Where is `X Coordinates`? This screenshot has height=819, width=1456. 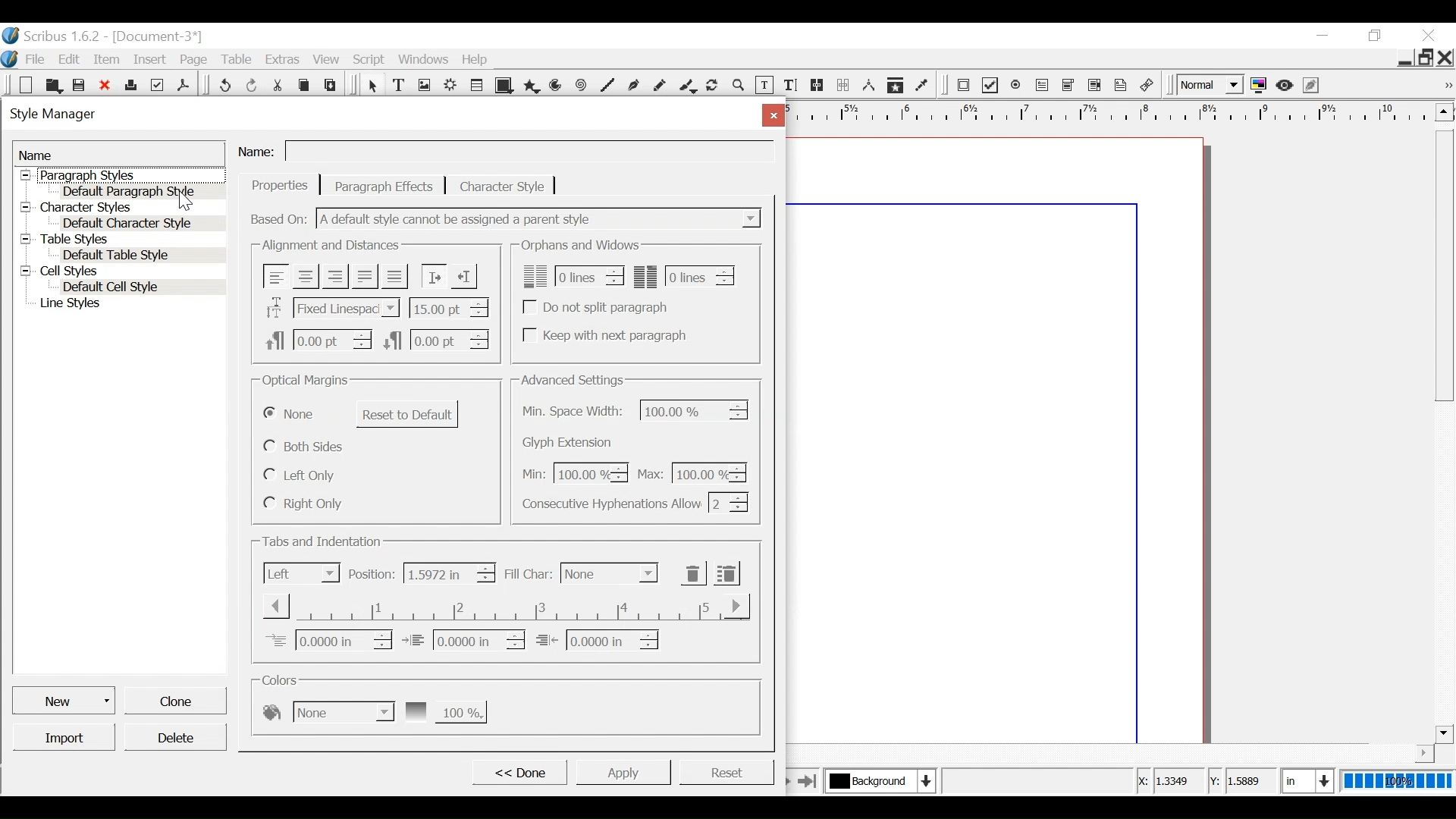
X Coordinates is located at coordinates (1169, 782).